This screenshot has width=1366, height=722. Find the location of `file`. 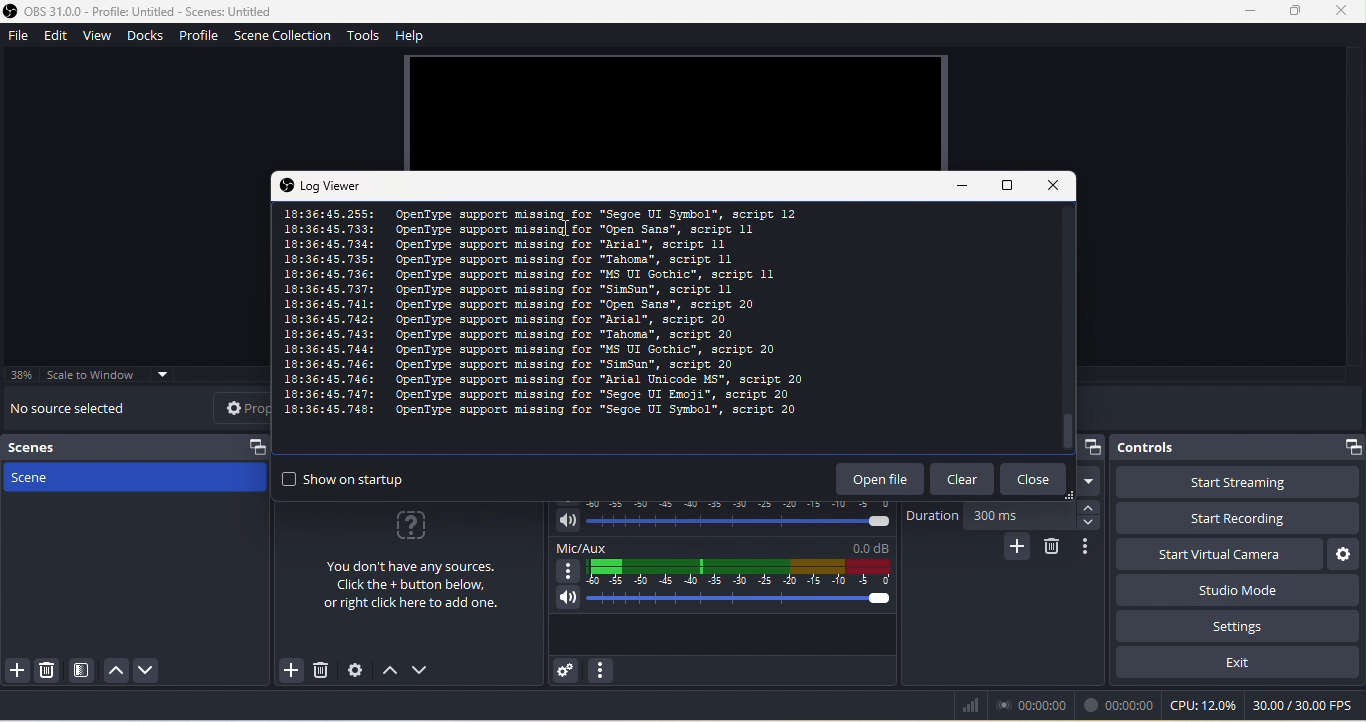

file is located at coordinates (20, 36).